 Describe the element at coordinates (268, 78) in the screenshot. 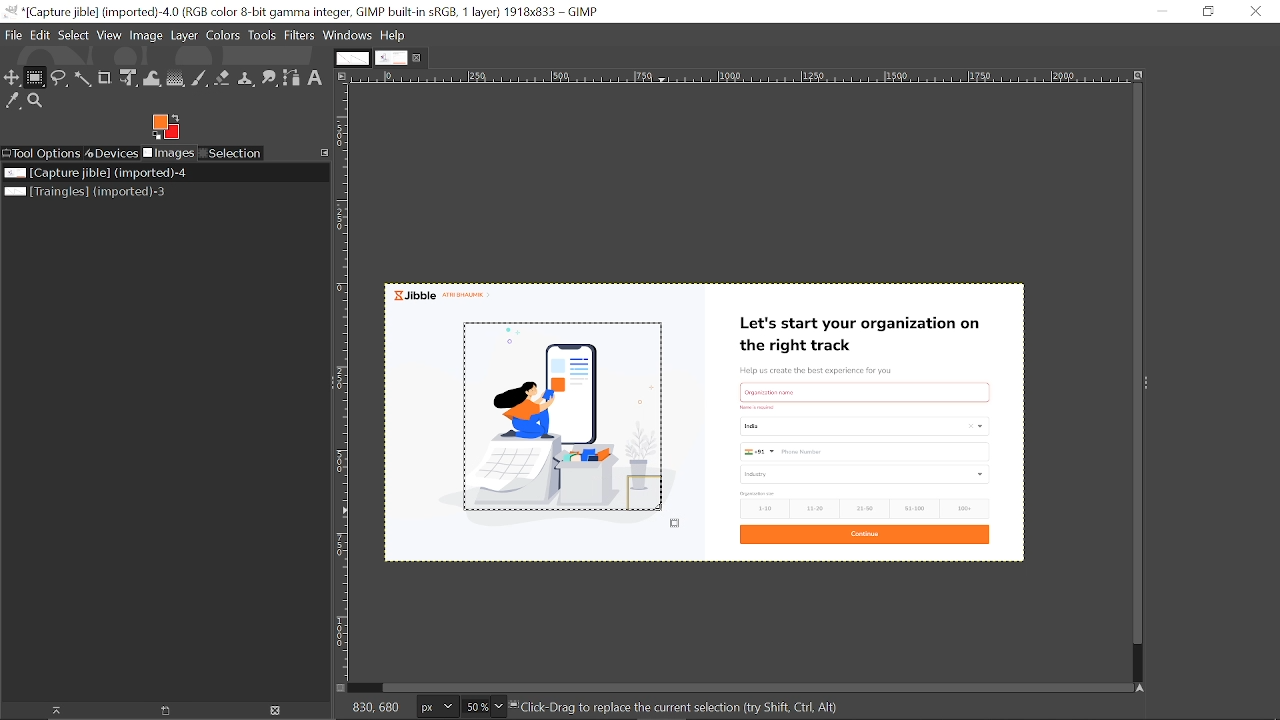

I see `Smudge tool` at that location.